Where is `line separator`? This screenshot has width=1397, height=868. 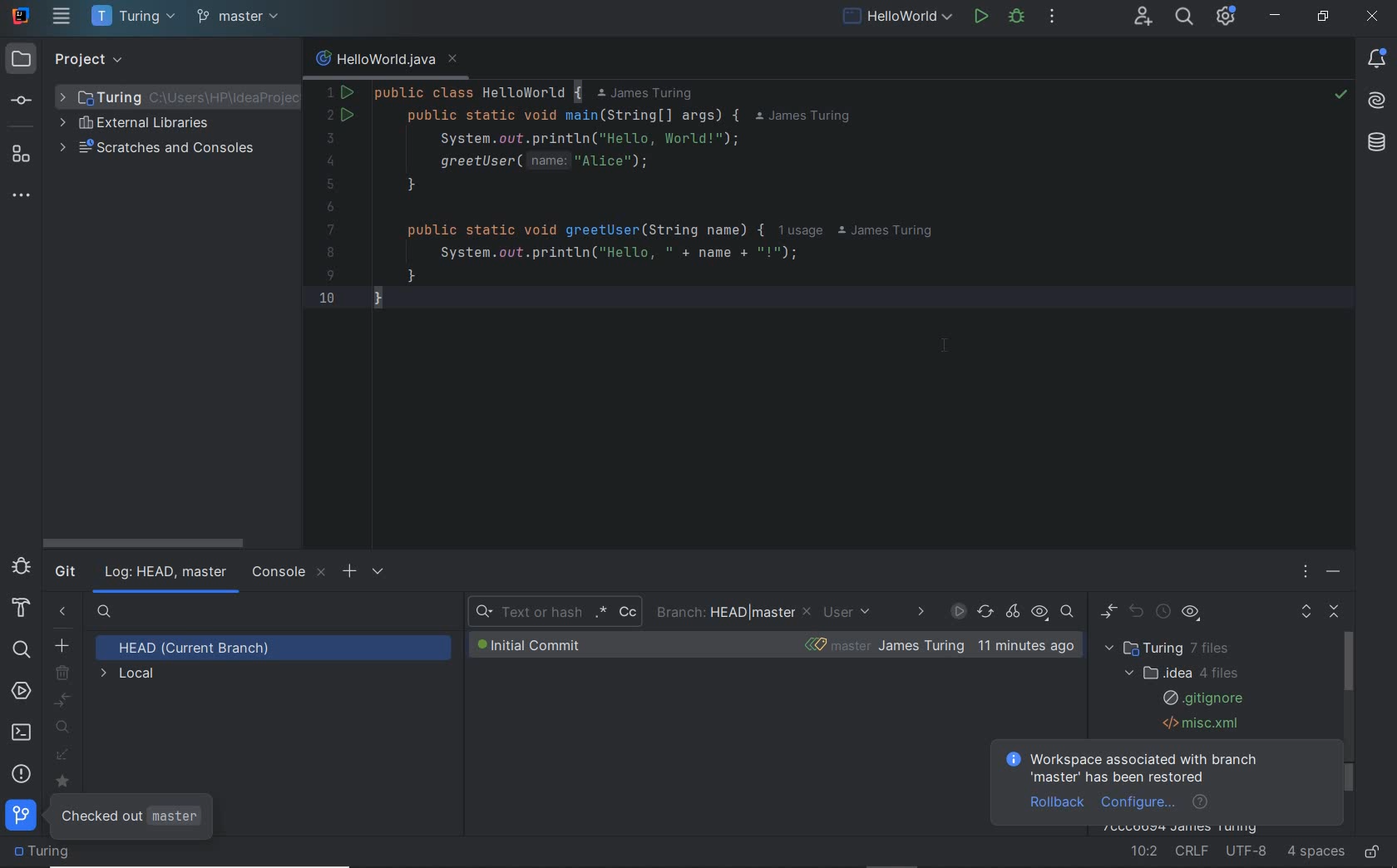
line separator is located at coordinates (1194, 852).